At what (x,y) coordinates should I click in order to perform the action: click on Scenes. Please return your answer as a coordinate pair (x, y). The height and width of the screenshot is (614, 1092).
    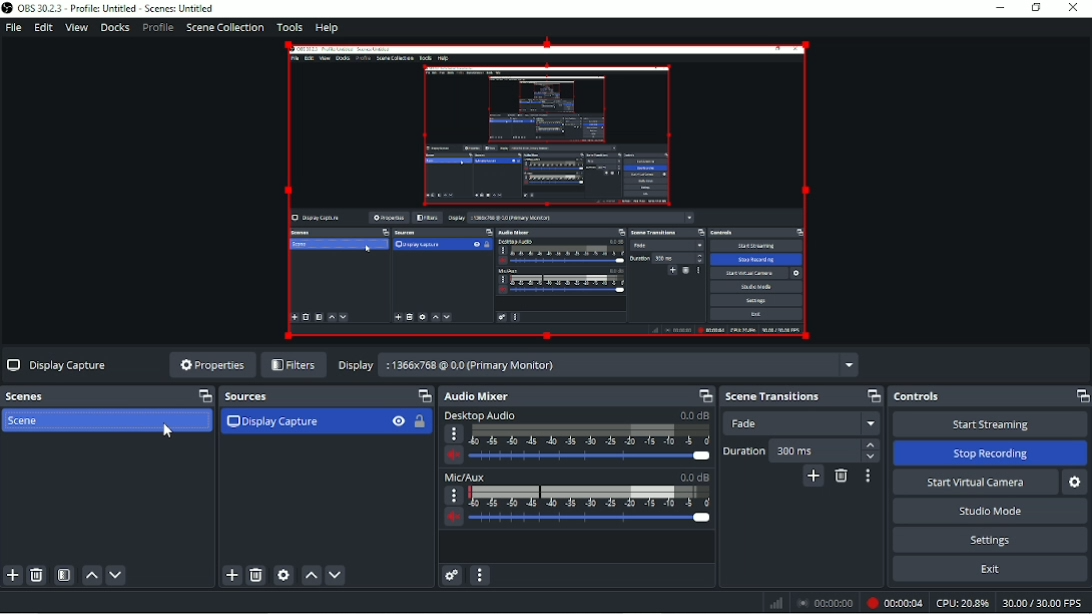
    Looking at the image, I should click on (30, 396).